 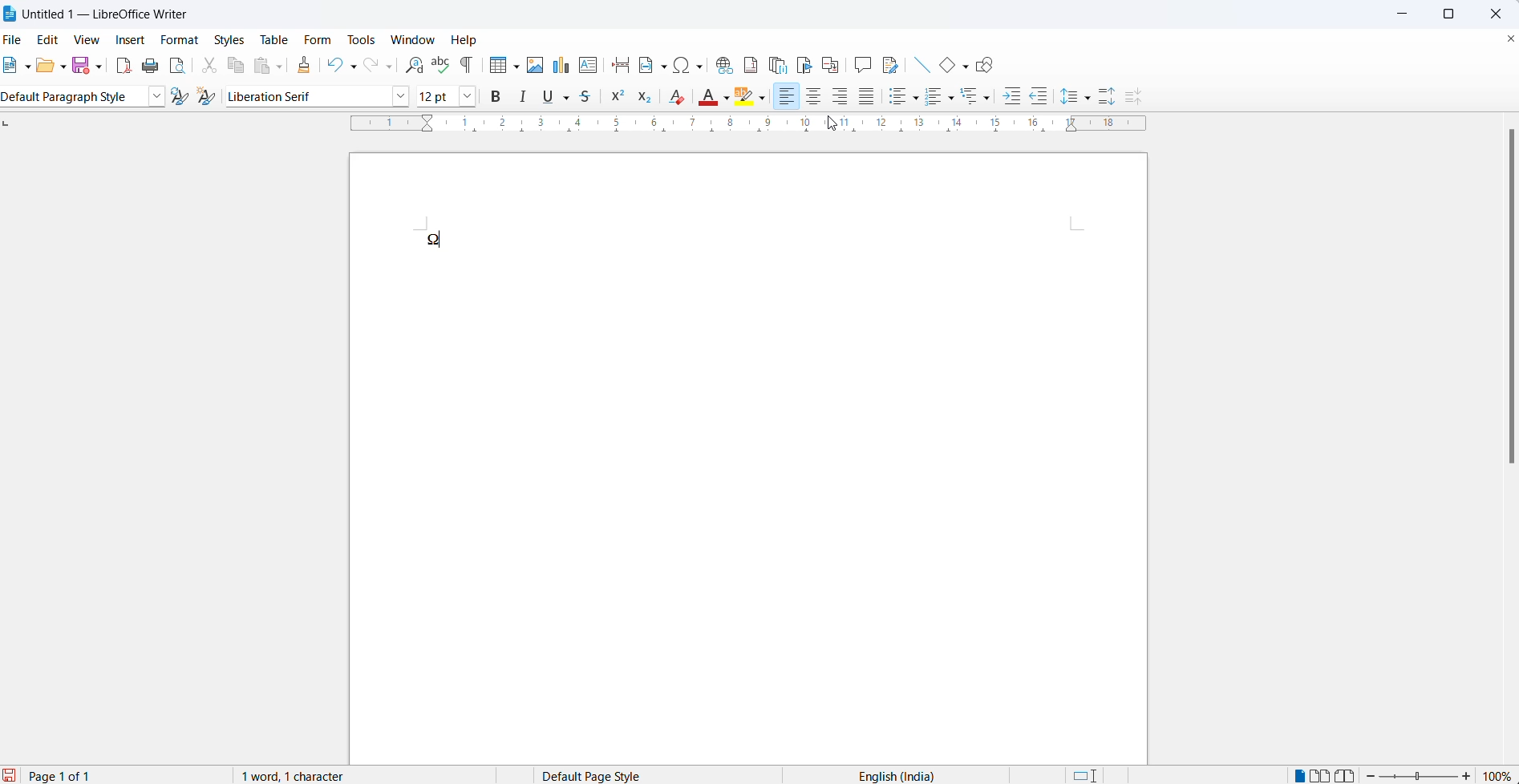 What do you see at coordinates (179, 97) in the screenshot?
I see `update selected style` at bounding box center [179, 97].